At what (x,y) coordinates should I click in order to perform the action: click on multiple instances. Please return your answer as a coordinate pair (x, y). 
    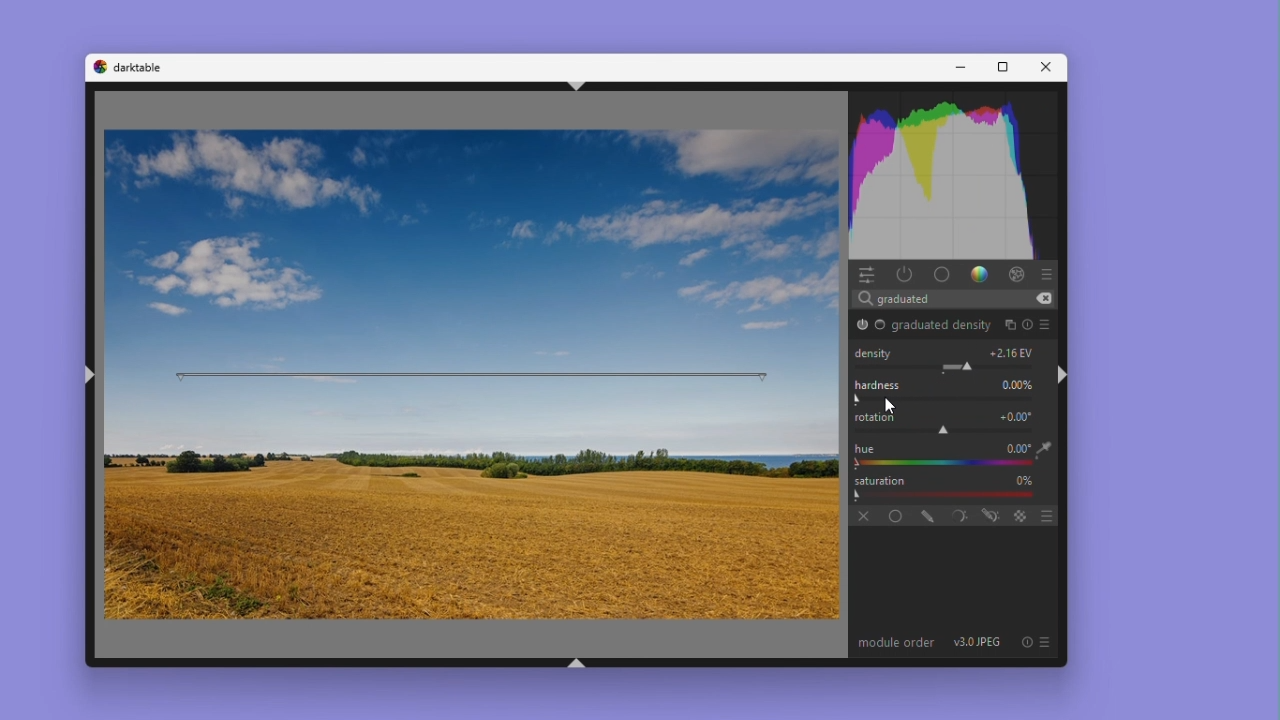
    Looking at the image, I should click on (1009, 323).